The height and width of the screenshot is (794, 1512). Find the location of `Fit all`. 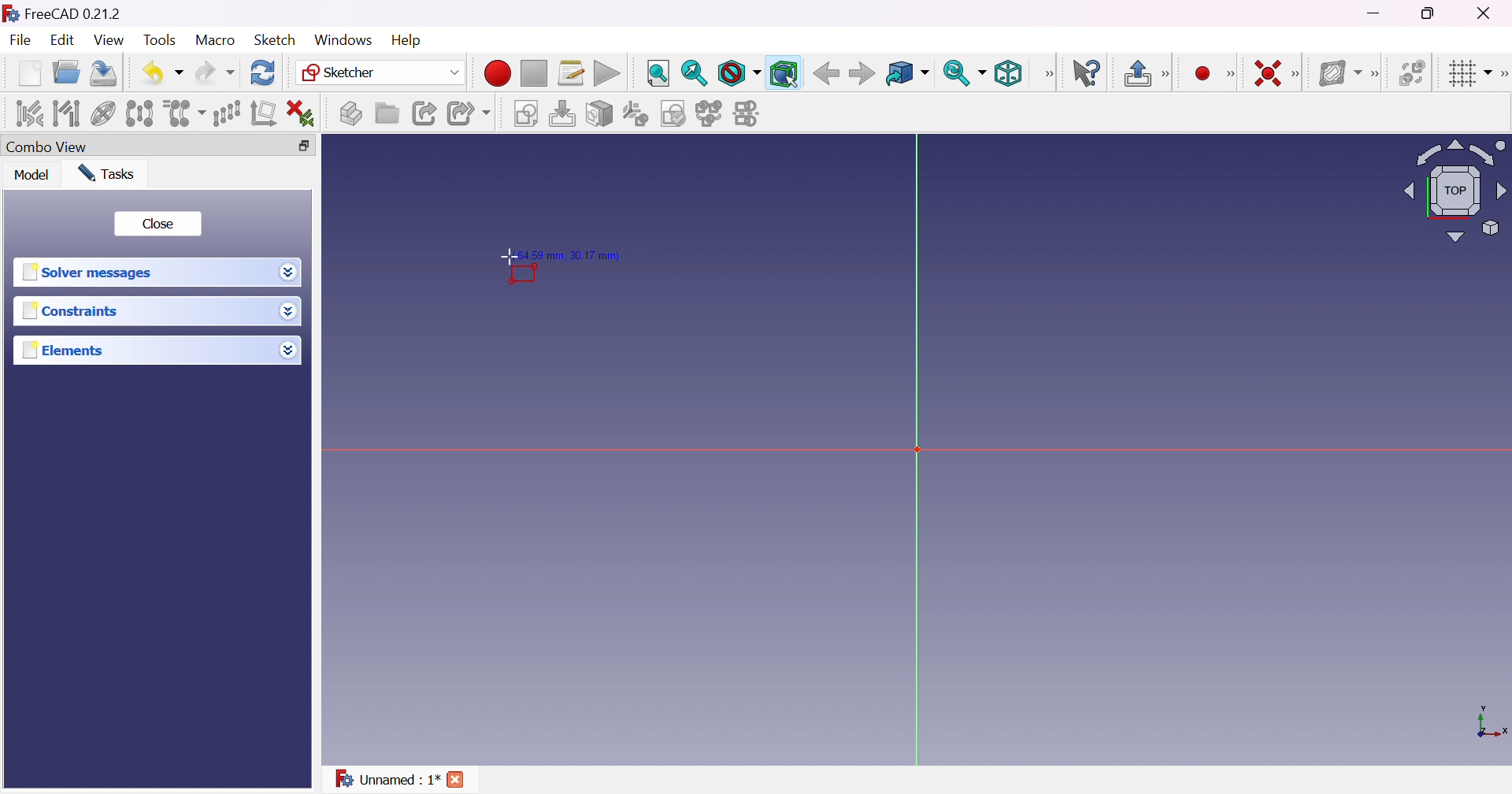

Fit all is located at coordinates (658, 72).